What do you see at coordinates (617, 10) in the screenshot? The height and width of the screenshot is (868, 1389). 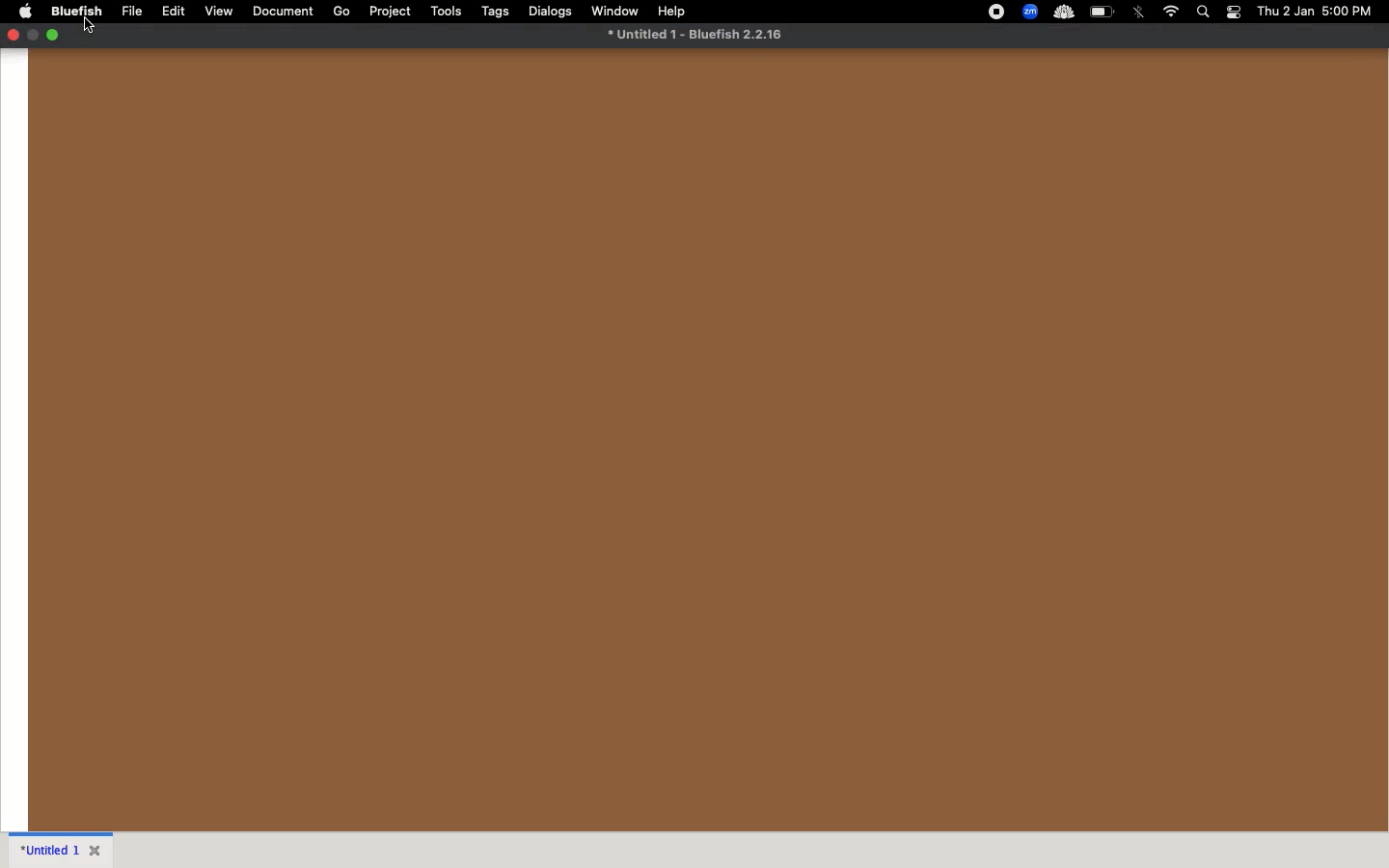 I see `window` at bounding box center [617, 10].